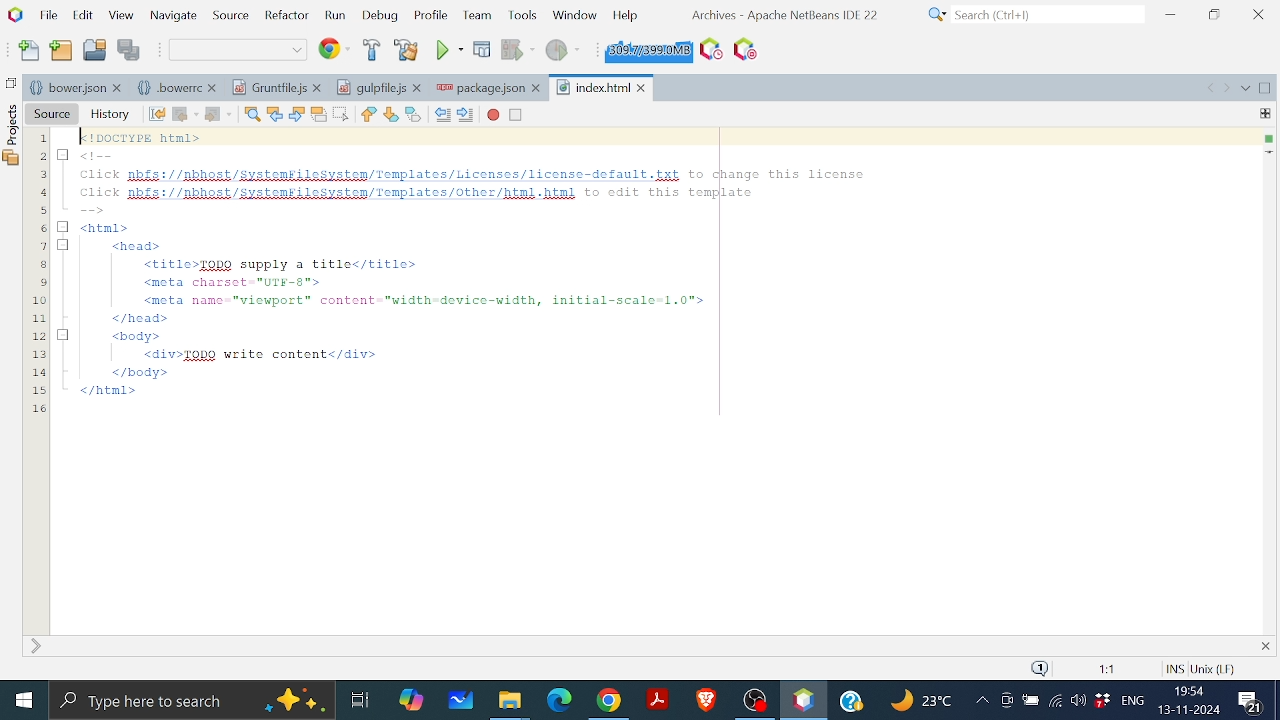 Image resolution: width=1280 pixels, height=720 pixels. Describe the element at coordinates (517, 50) in the screenshot. I see `run project` at that location.